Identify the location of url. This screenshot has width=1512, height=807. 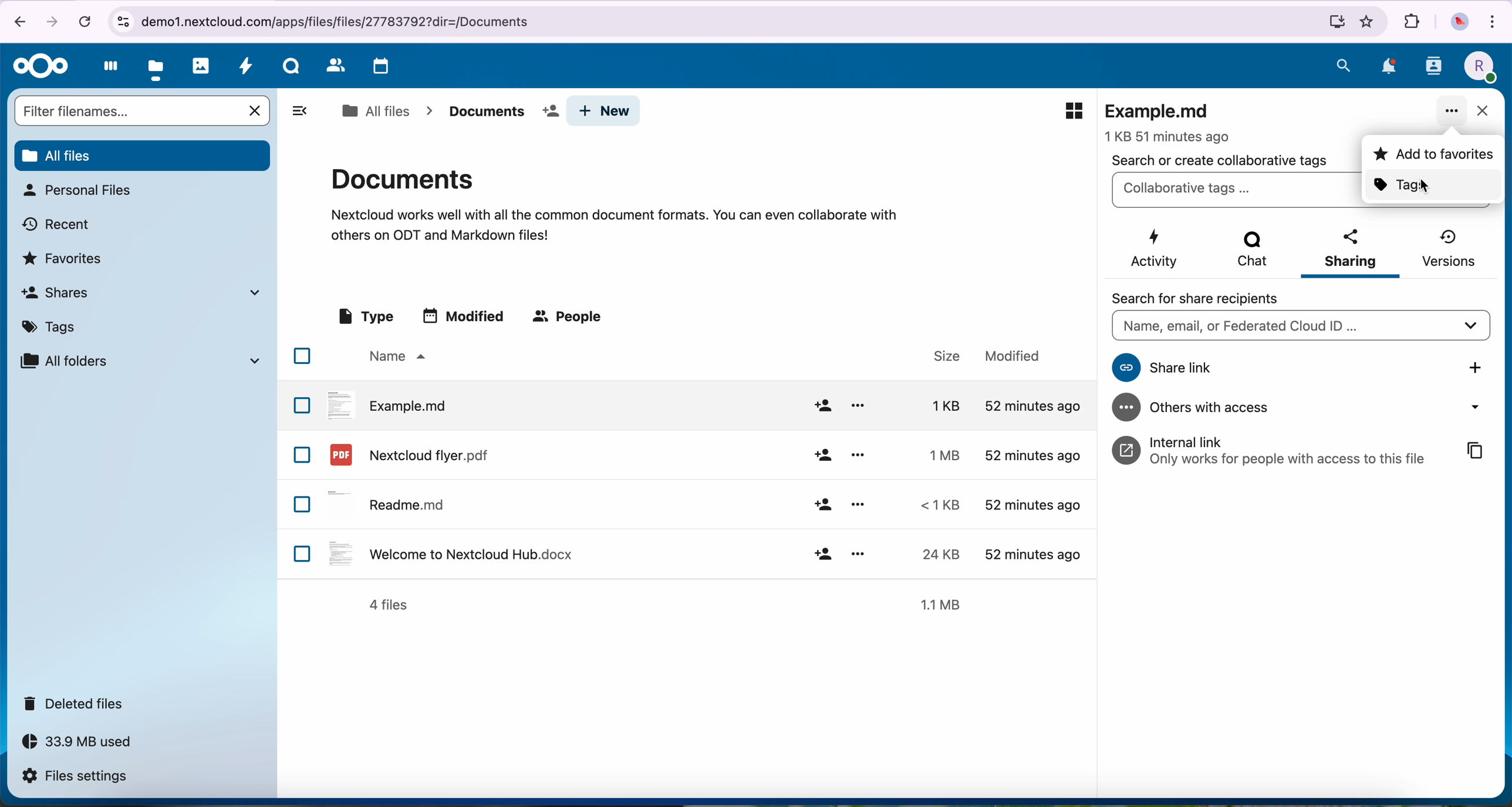
(728, 22).